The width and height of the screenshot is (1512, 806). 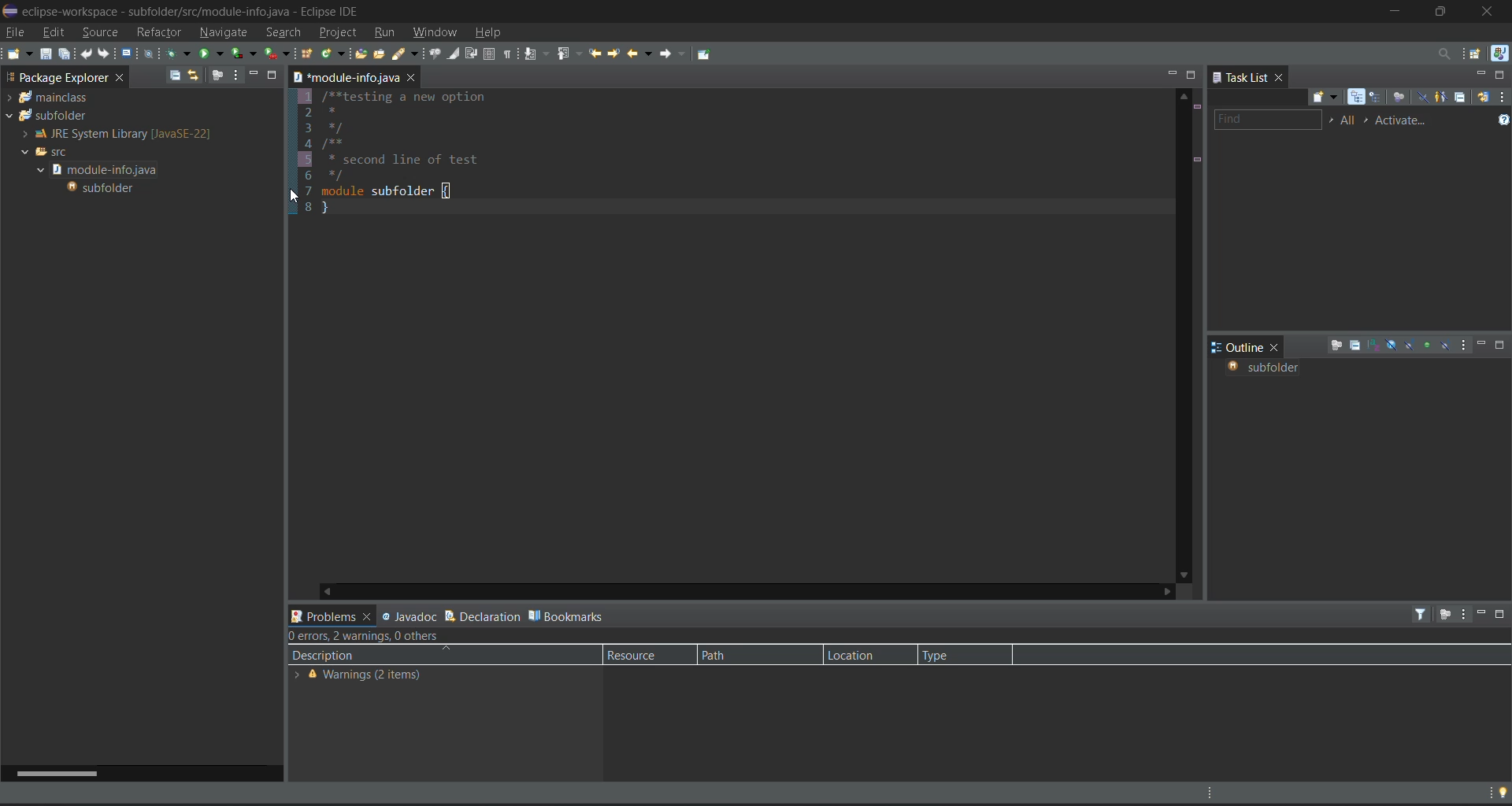 What do you see at coordinates (1378, 98) in the screenshot?
I see `scheduled ` at bounding box center [1378, 98].